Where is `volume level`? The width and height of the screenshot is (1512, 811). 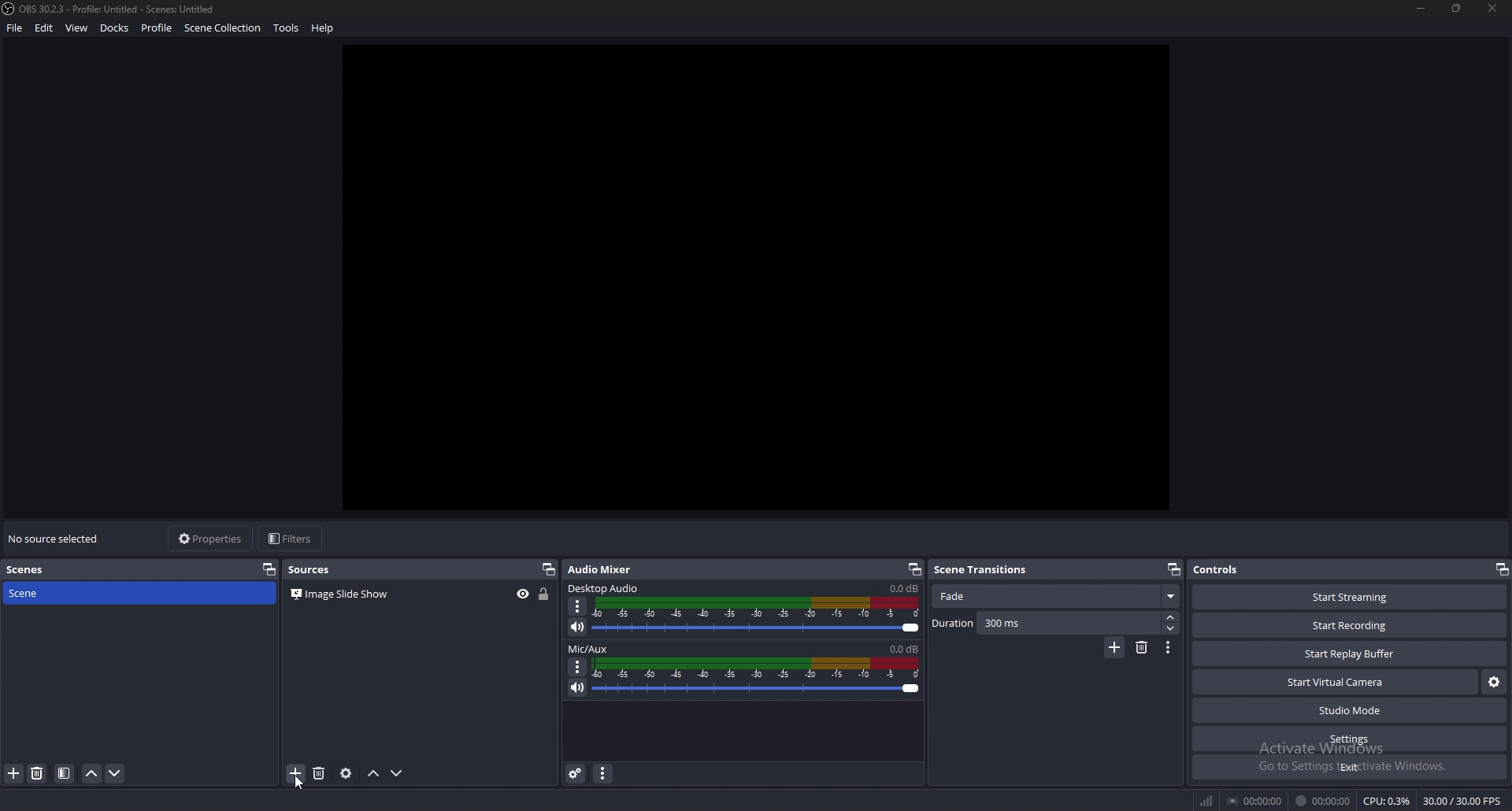 volume level is located at coordinates (902, 588).